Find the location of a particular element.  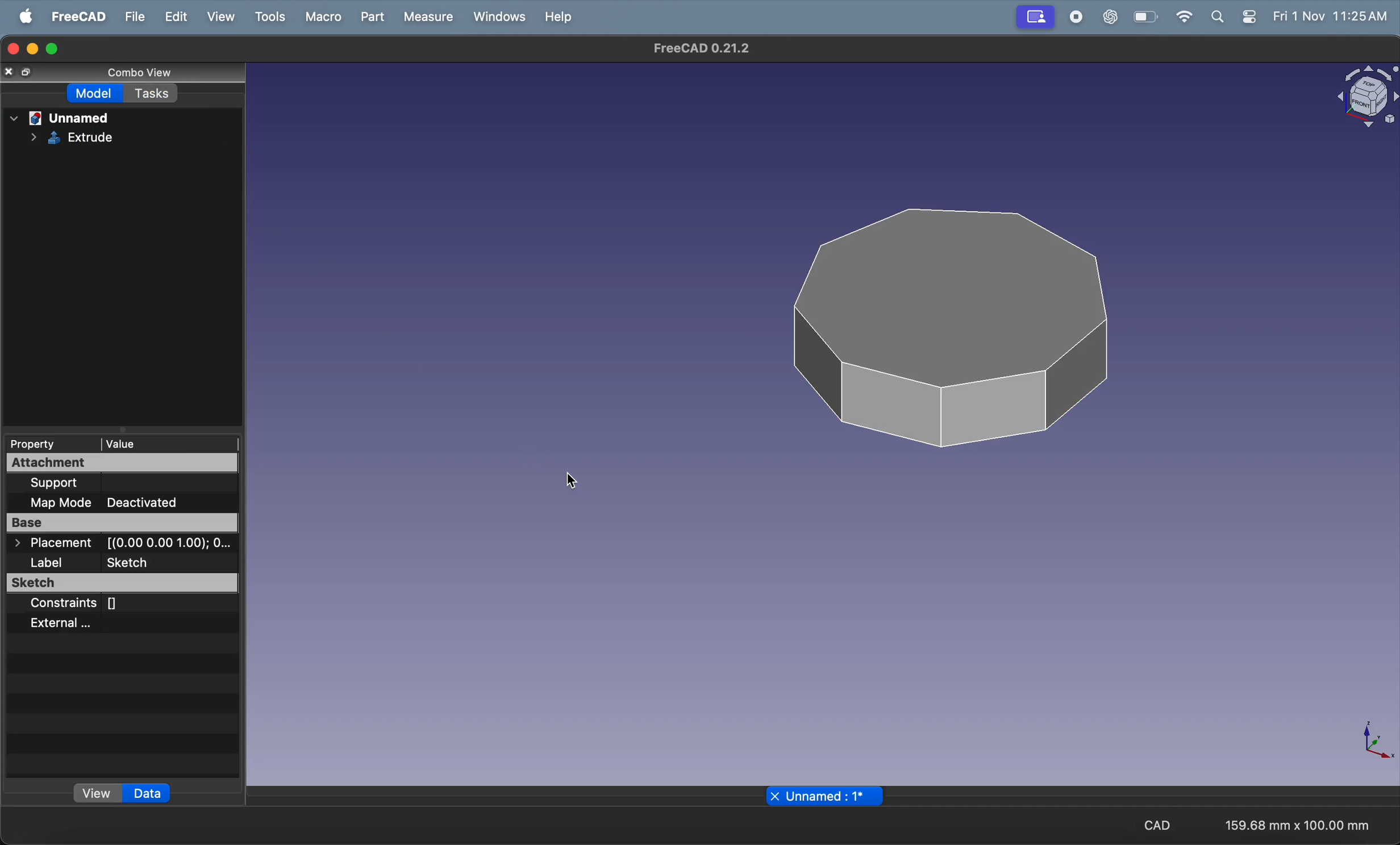

support is located at coordinates (107, 484).